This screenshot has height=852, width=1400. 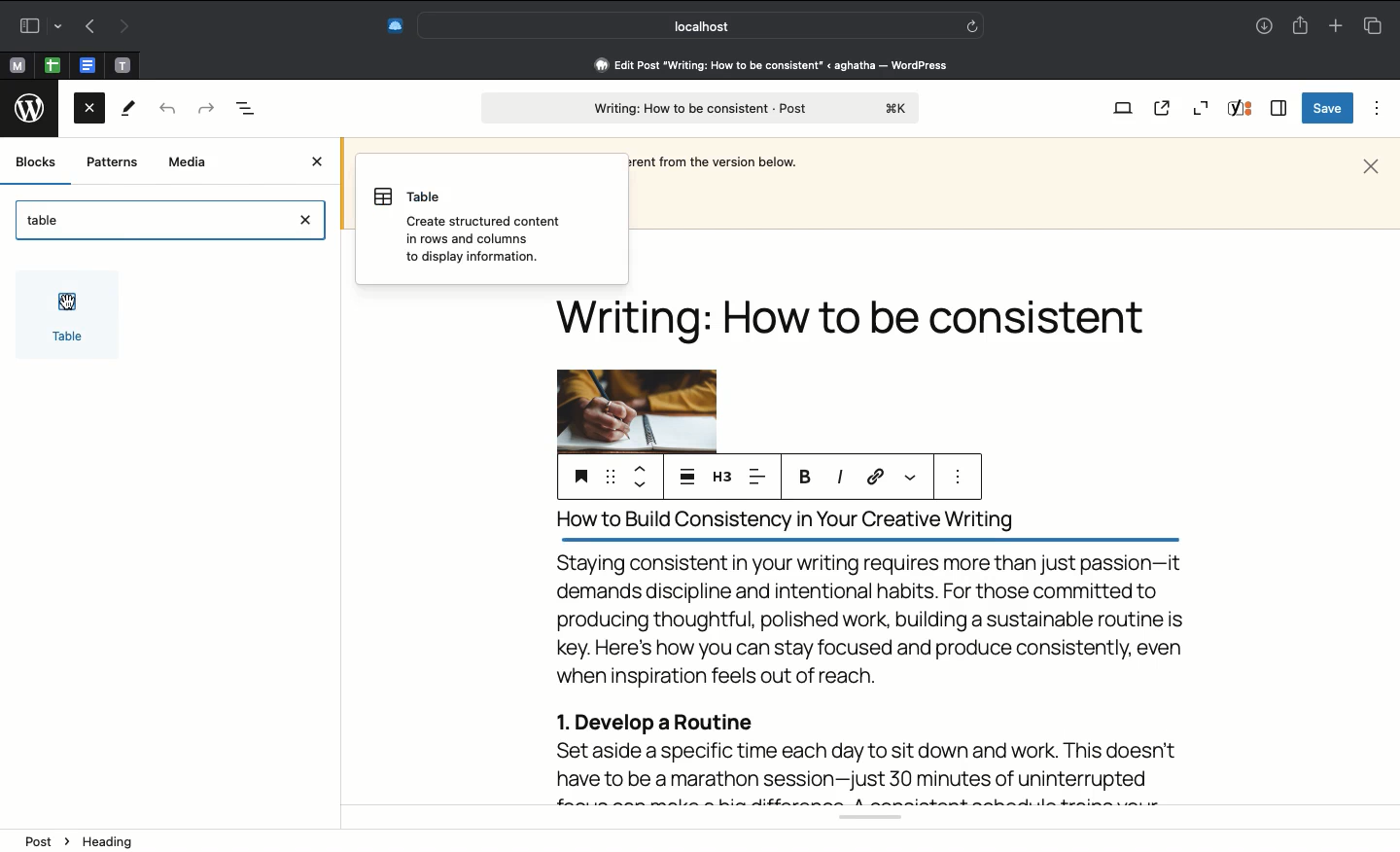 I want to click on Headline, so click(x=858, y=325).